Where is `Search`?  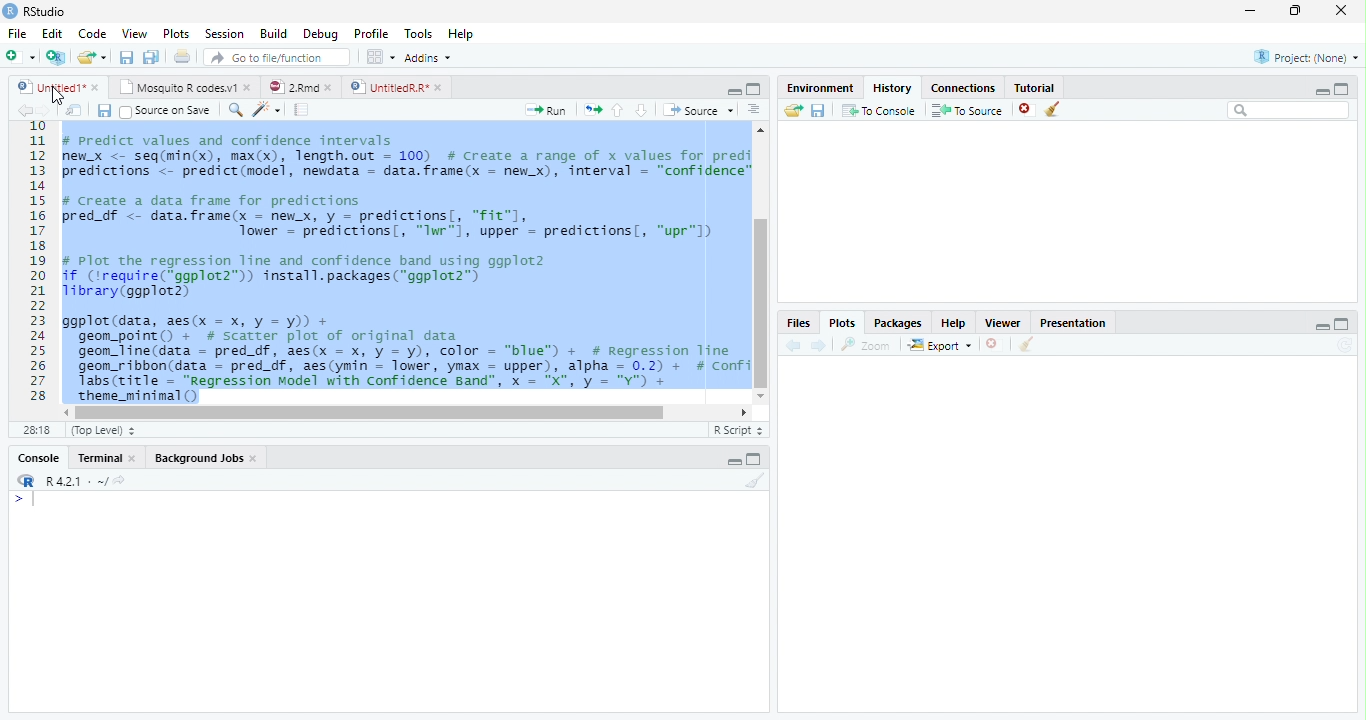
Search is located at coordinates (1291, 110).